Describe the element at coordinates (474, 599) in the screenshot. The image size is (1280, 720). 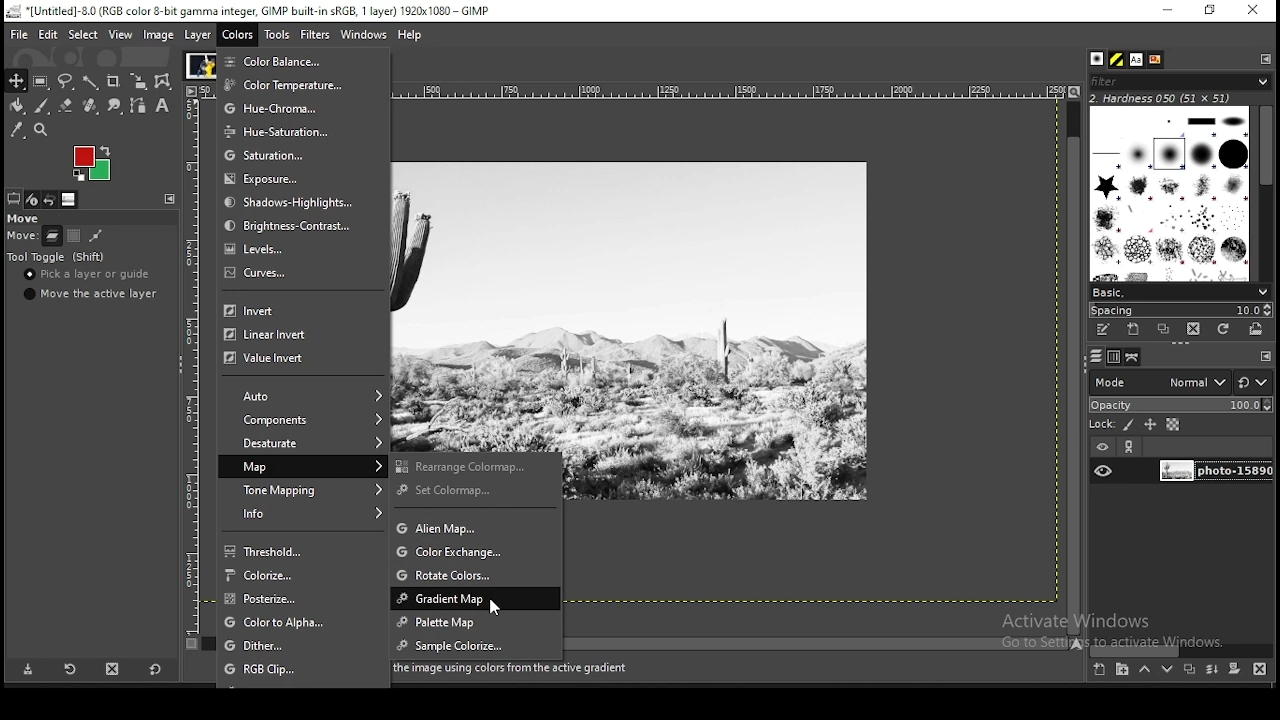
I see `gradient map` at that location.